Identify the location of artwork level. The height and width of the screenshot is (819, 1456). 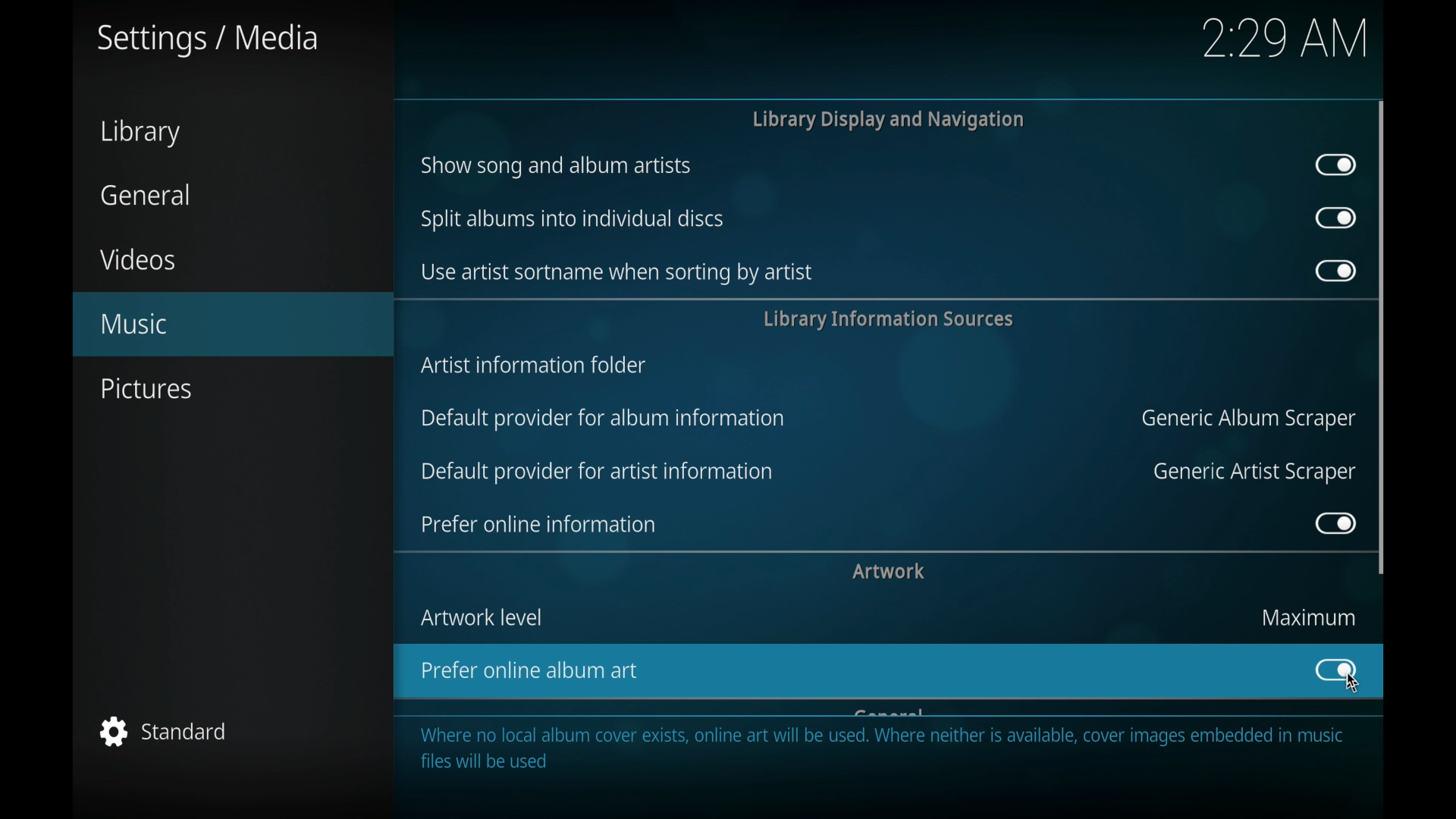
(481, 617).